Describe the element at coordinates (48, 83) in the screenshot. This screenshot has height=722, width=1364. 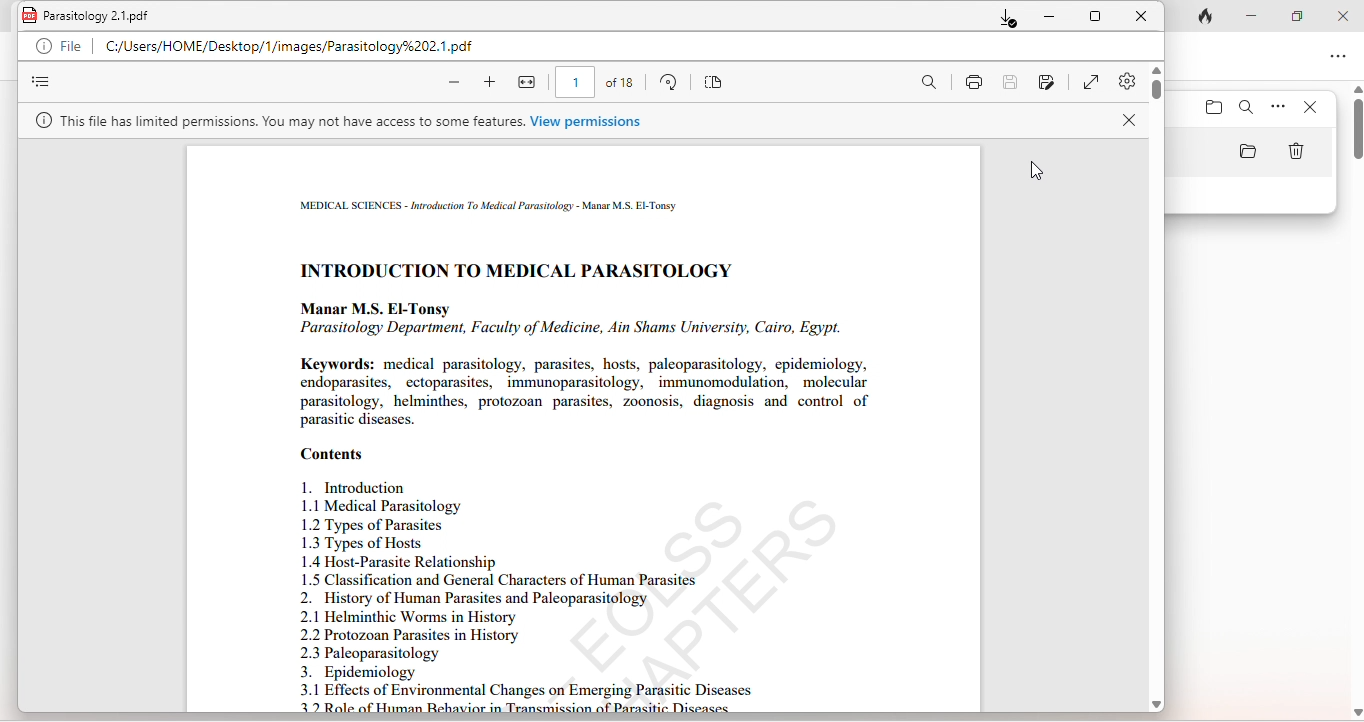
I see `view menu` at that location.